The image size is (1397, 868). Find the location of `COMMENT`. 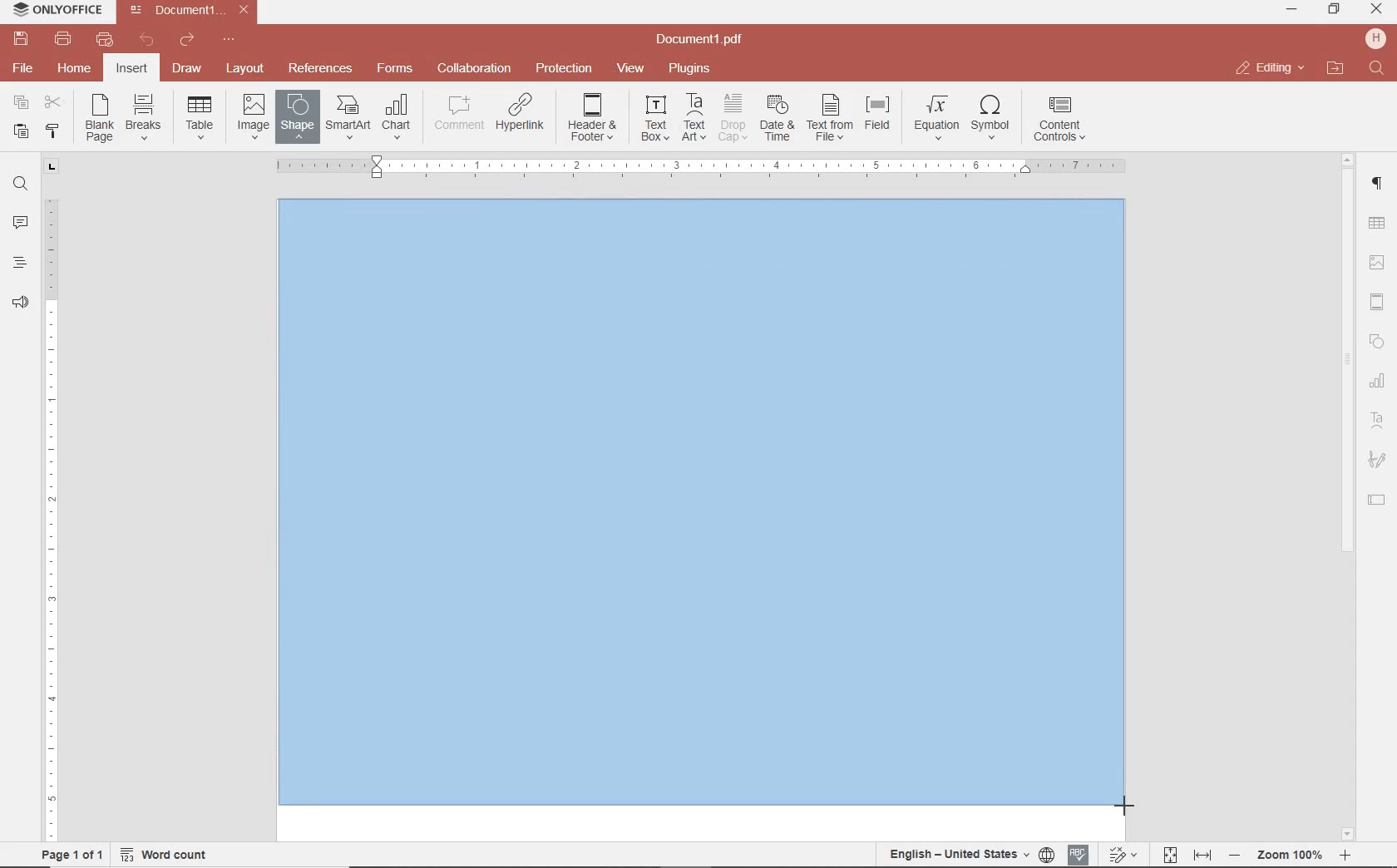

COMMENT is located at coordinates (461, 113).